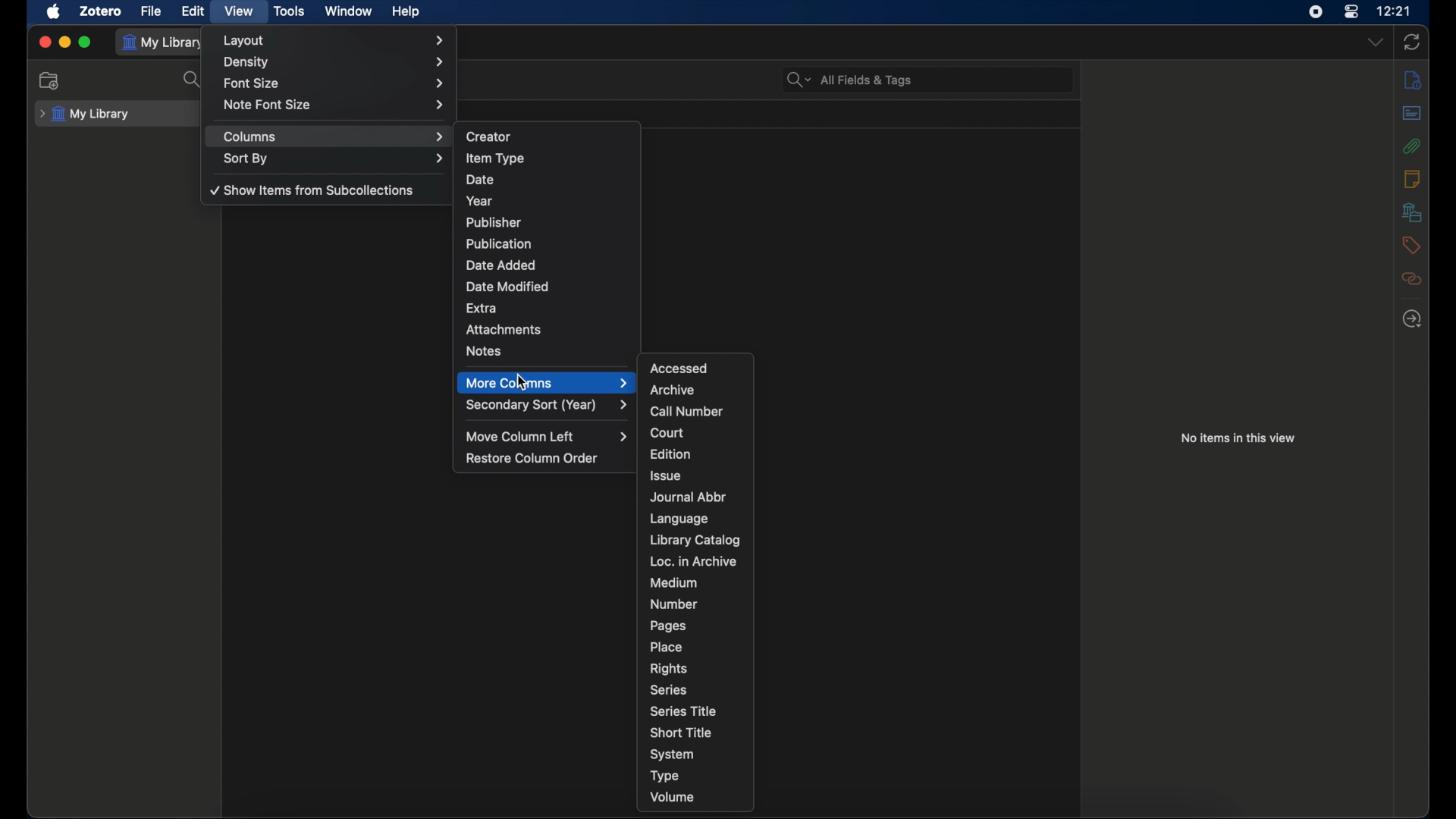 The width and height of the screenshot is (1456, 819). Describe the element at coordinates (494, 222) in the screenshot. I see `publisher` at that location.